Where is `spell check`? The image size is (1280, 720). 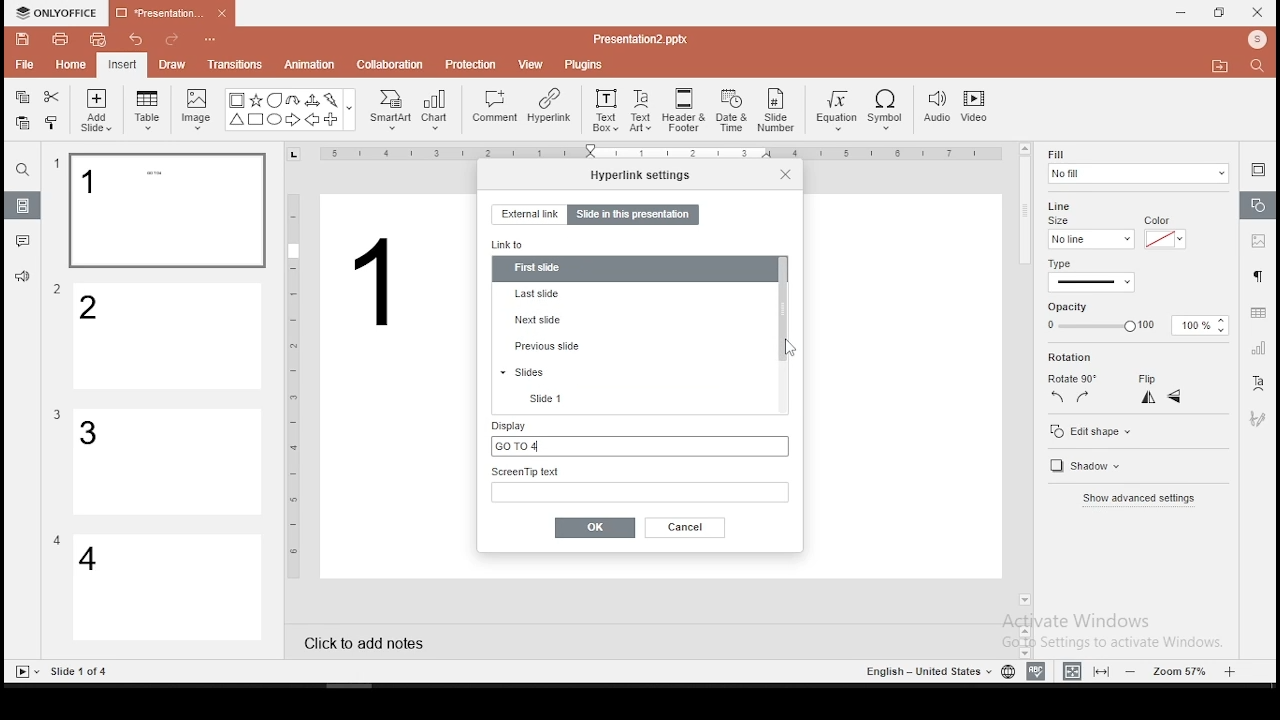
spell check is located at coordinates (1036, 671).